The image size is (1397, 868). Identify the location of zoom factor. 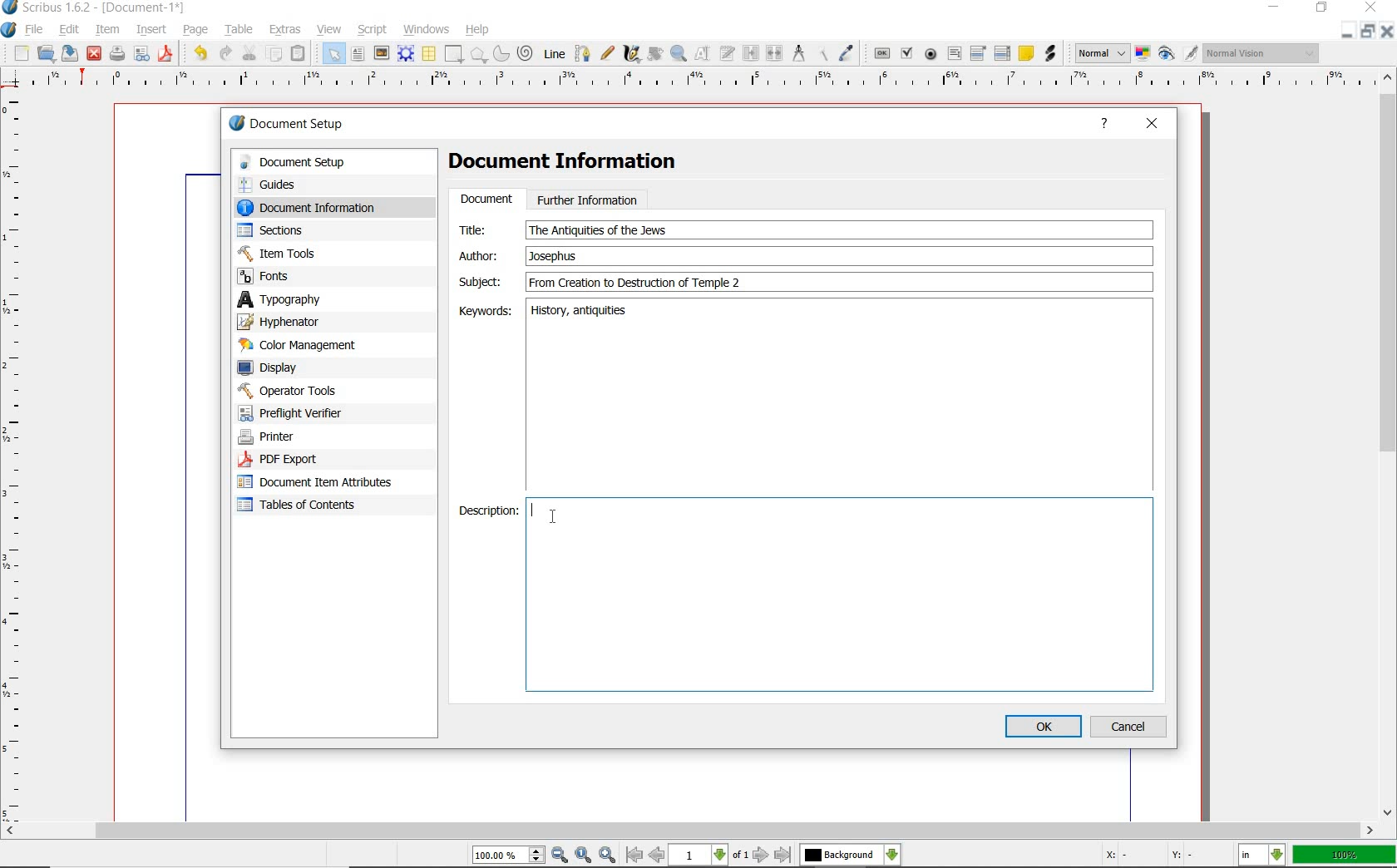
(1343, 856).